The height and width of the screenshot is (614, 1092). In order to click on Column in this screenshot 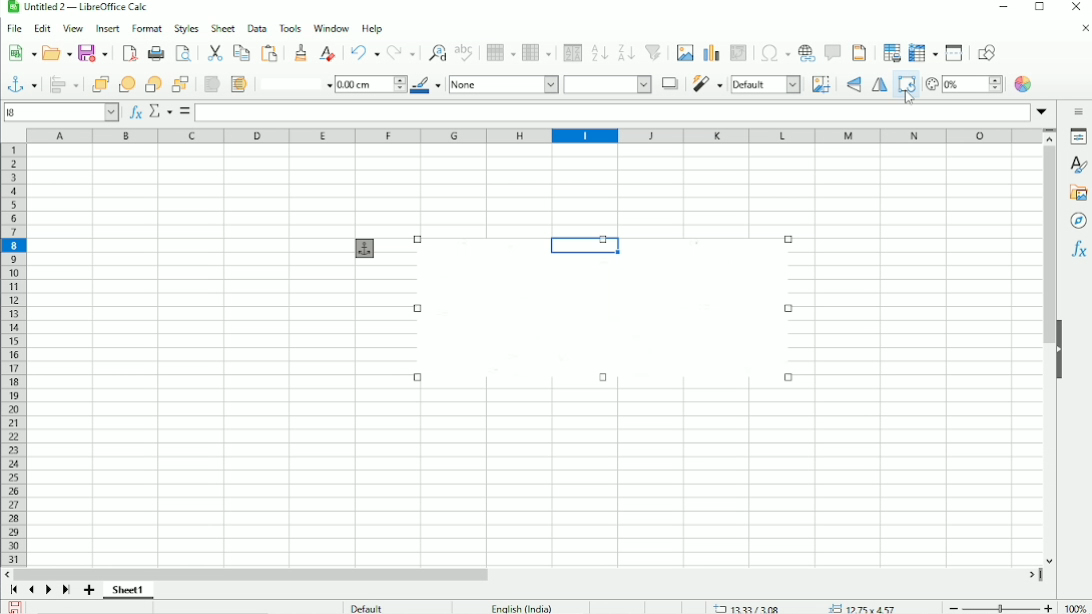, I will do `click(536, 52)`.